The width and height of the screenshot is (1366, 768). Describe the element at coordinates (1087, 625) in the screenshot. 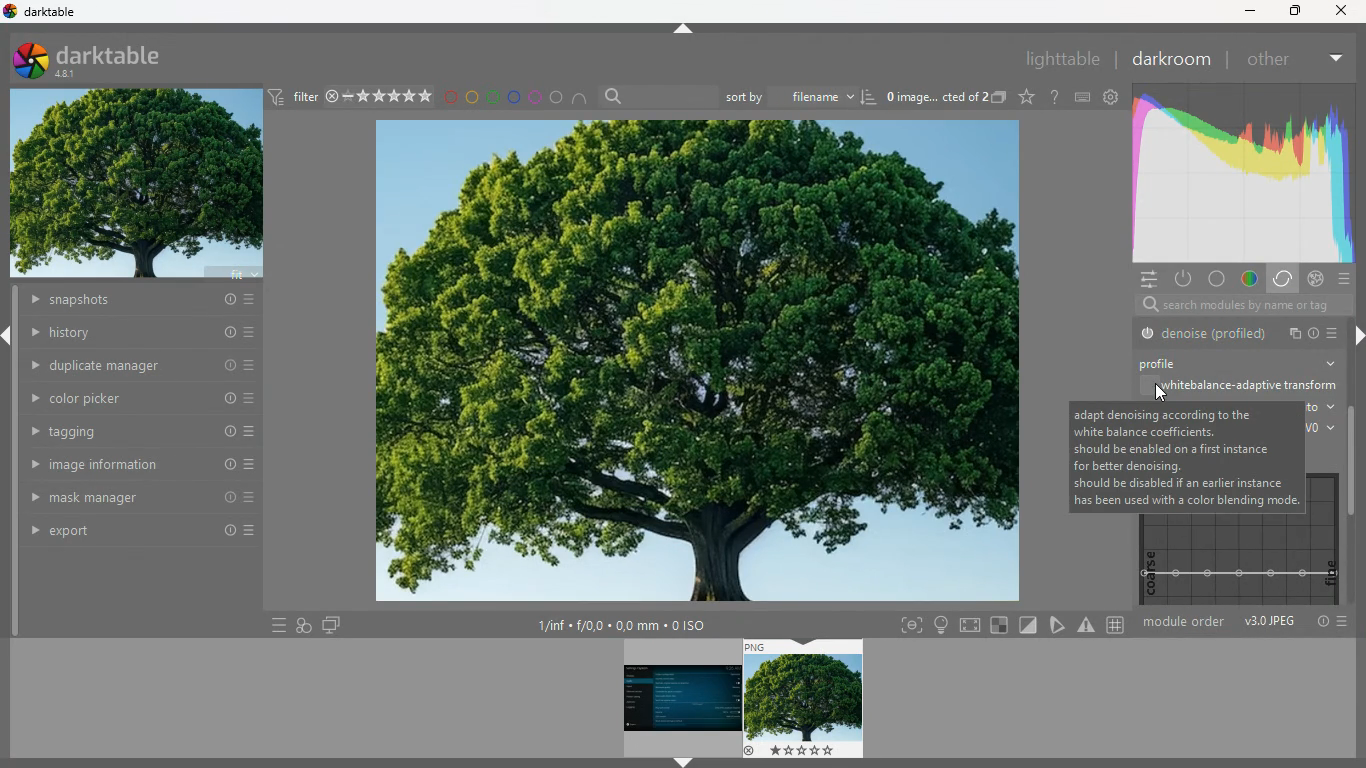

I see `warning` at that location.